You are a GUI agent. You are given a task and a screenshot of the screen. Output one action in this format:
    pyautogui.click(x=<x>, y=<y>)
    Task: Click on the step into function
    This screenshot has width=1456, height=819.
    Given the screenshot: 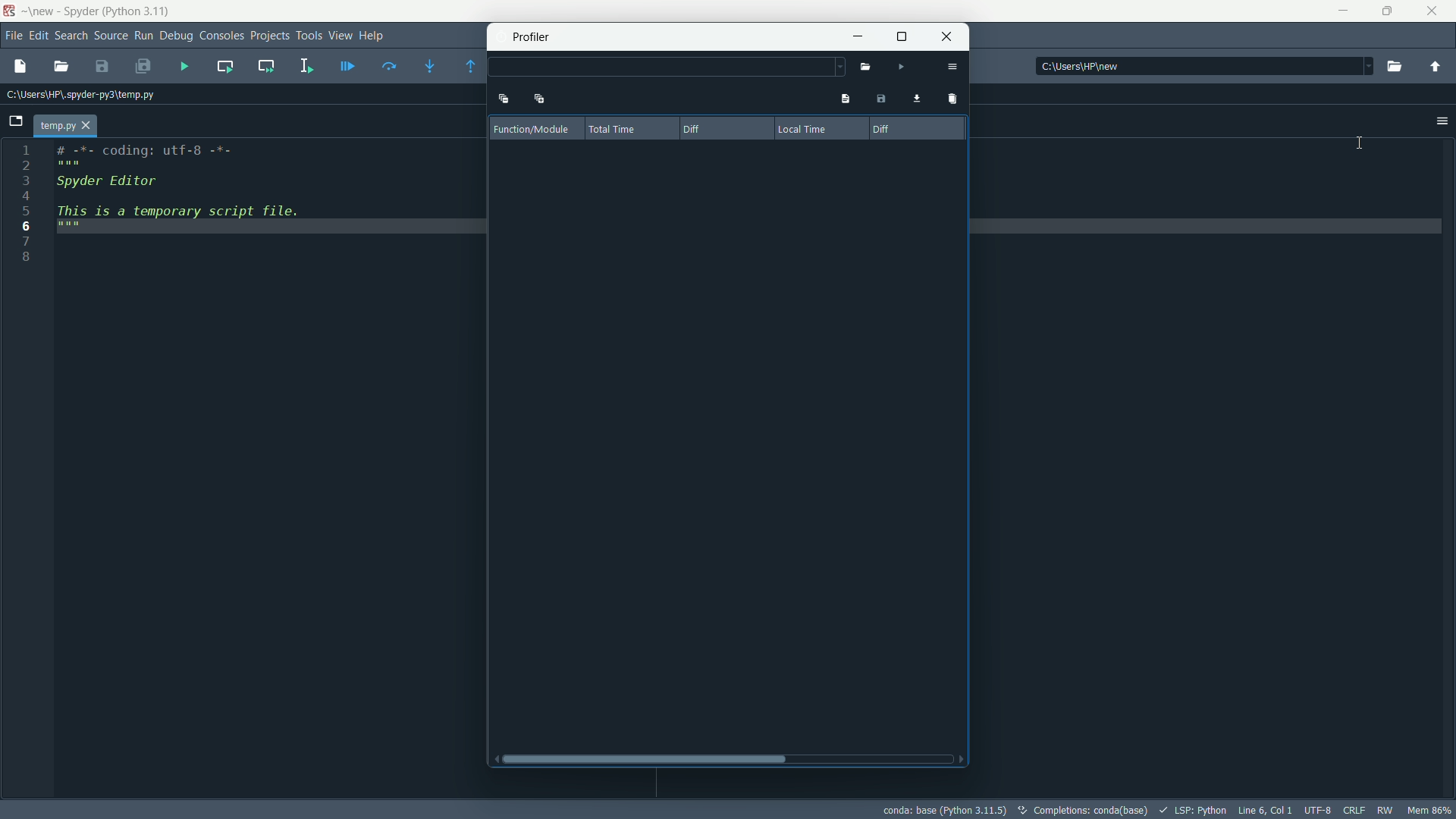 What is the action you would take?
    pyautogui.click(x=431, y=67)
    